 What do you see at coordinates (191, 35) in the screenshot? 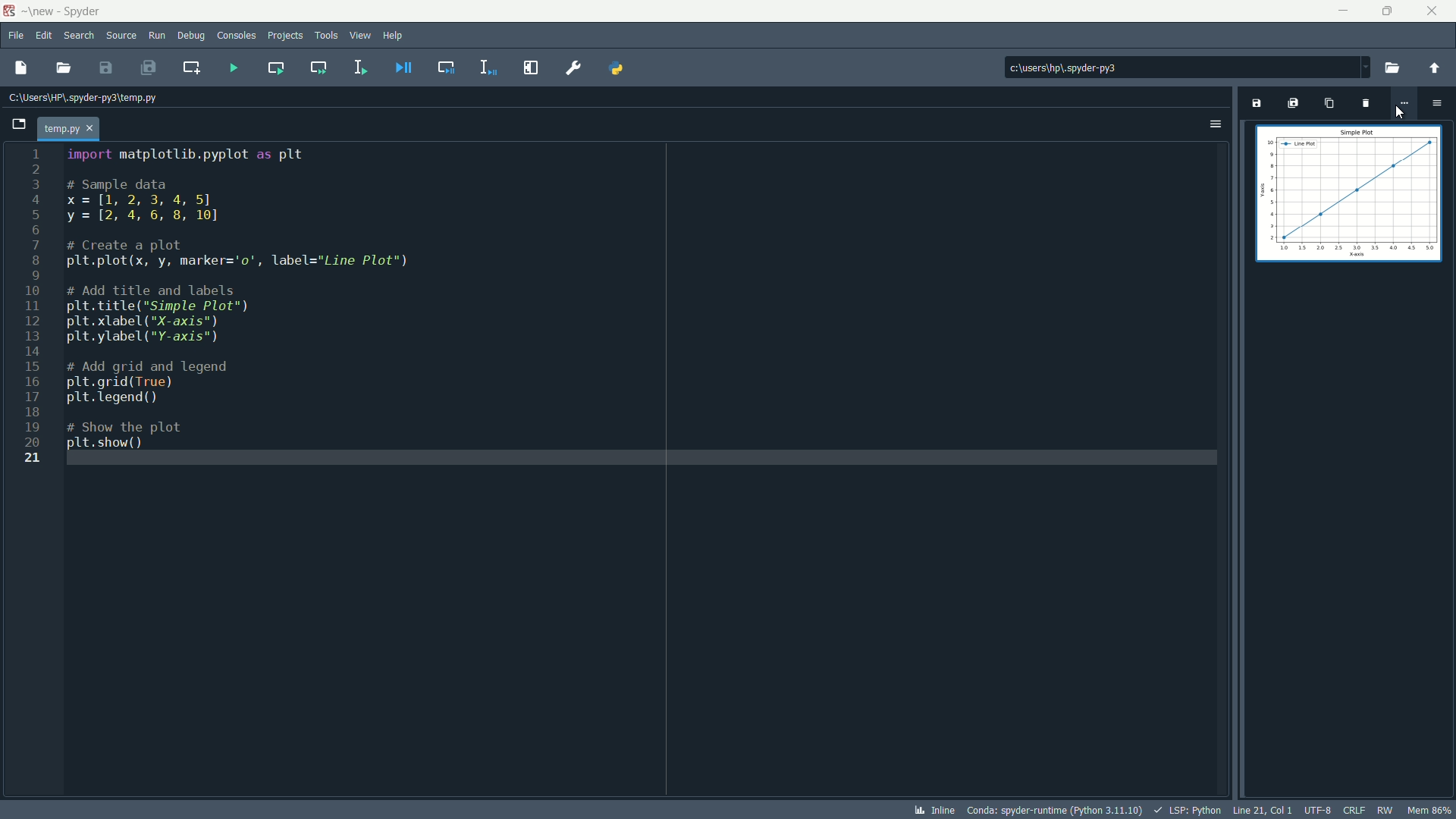
I see `debug menu` at bounding box center [191, 35].